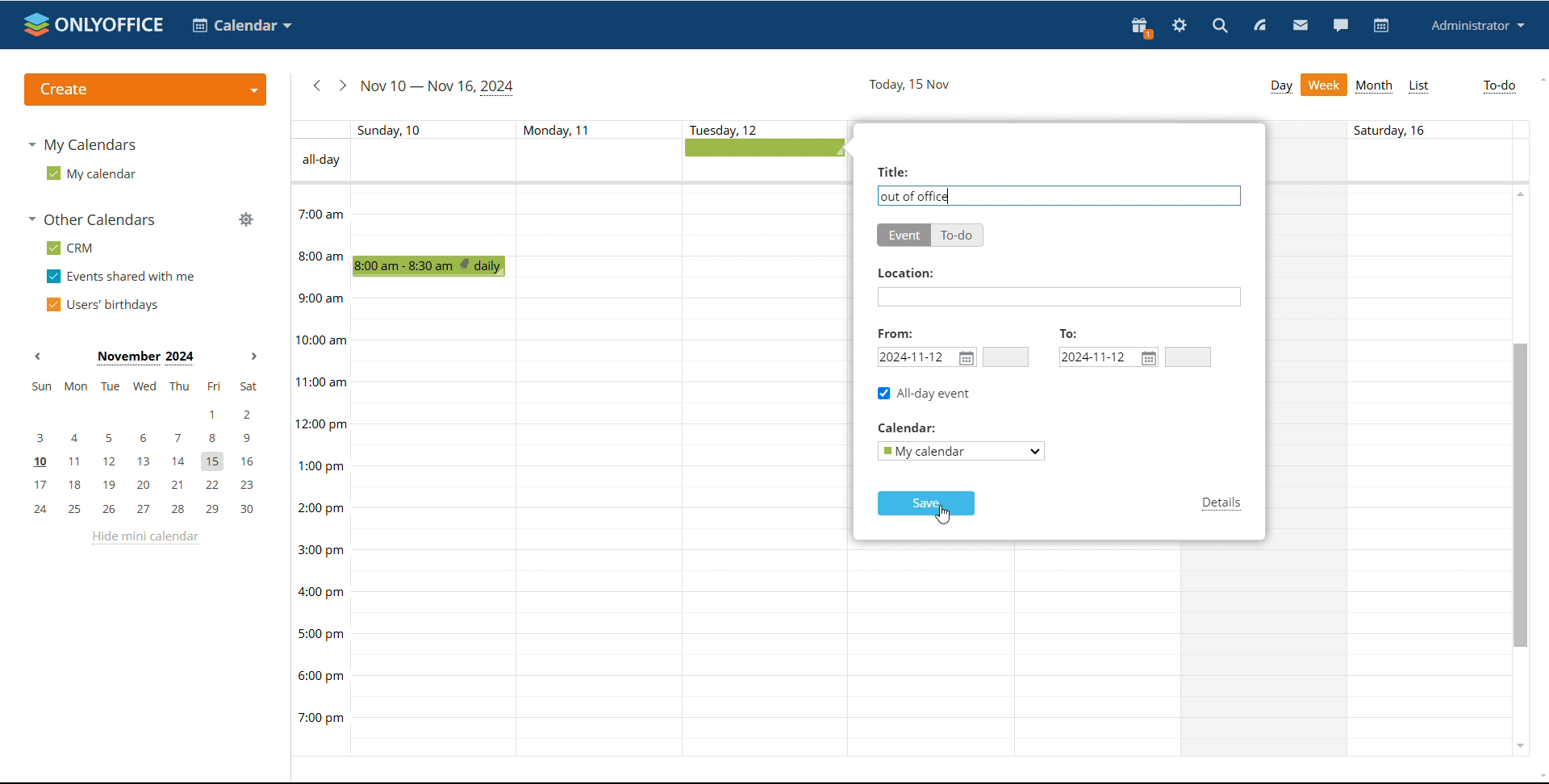 The image size is (1549, 784). I want to click on current date, so click(439, 88).